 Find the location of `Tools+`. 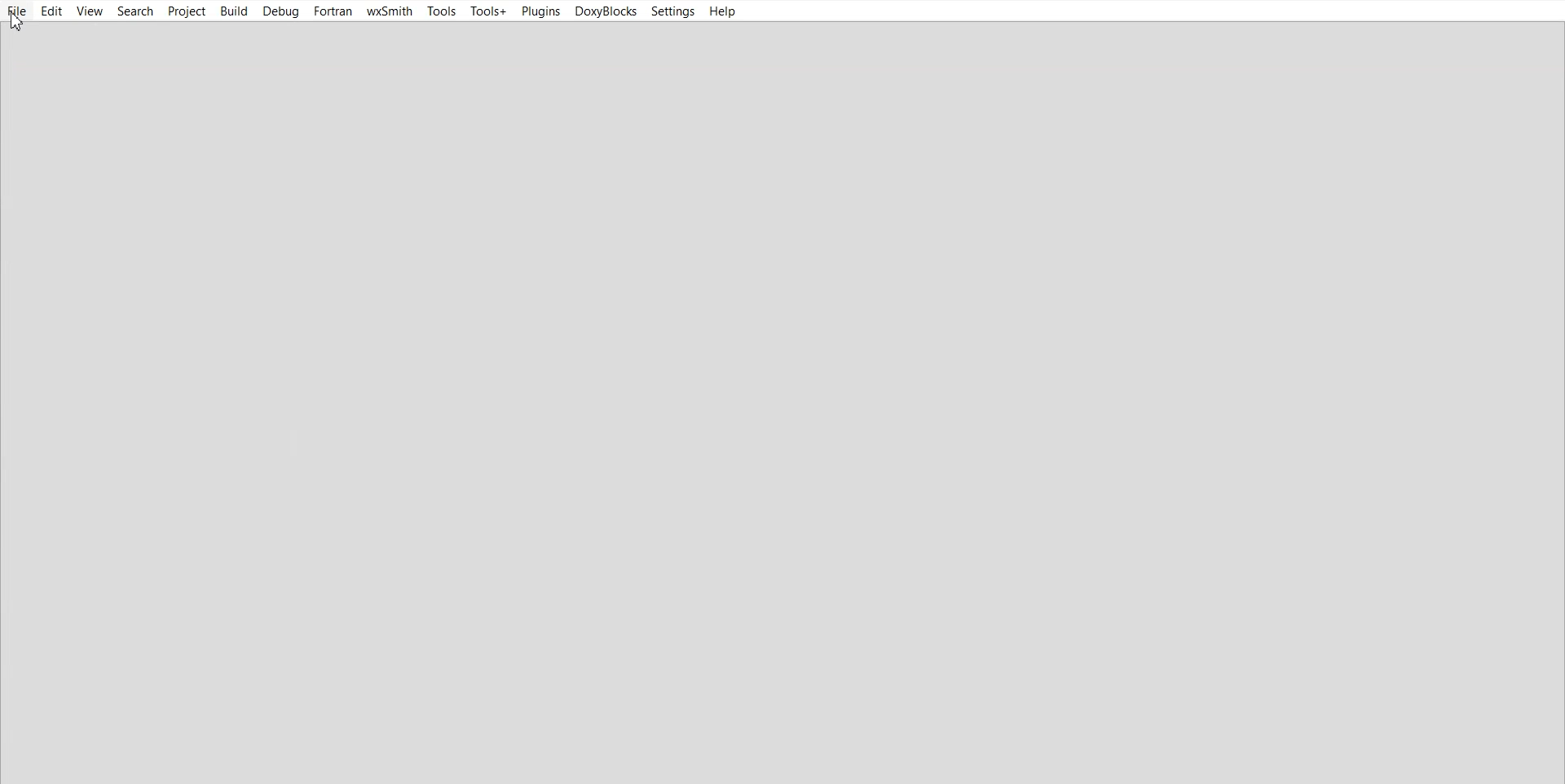

Tools+ is located at coordinates (488, 11).